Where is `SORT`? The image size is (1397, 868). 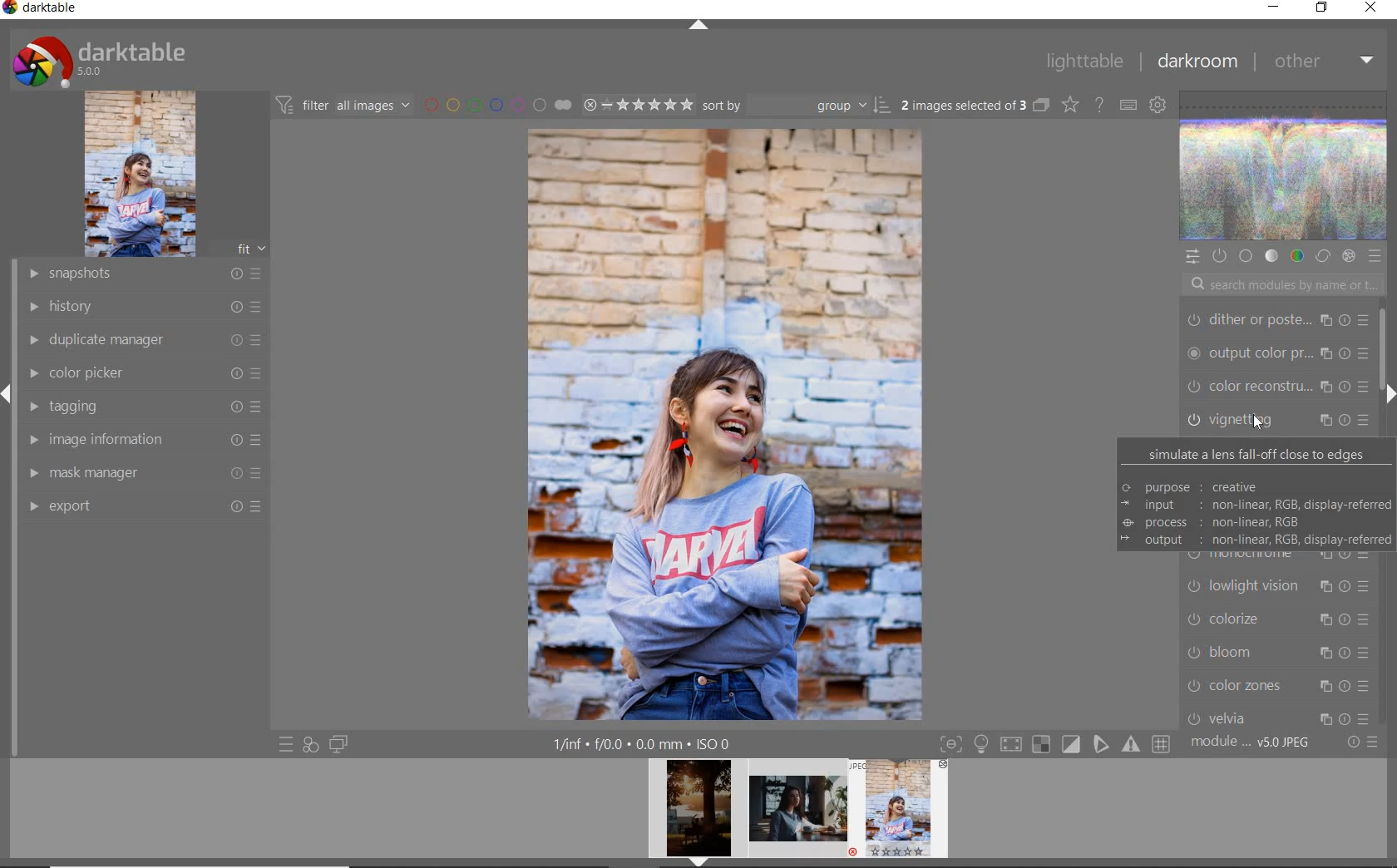 SORT is located at coordinates (797, 104).